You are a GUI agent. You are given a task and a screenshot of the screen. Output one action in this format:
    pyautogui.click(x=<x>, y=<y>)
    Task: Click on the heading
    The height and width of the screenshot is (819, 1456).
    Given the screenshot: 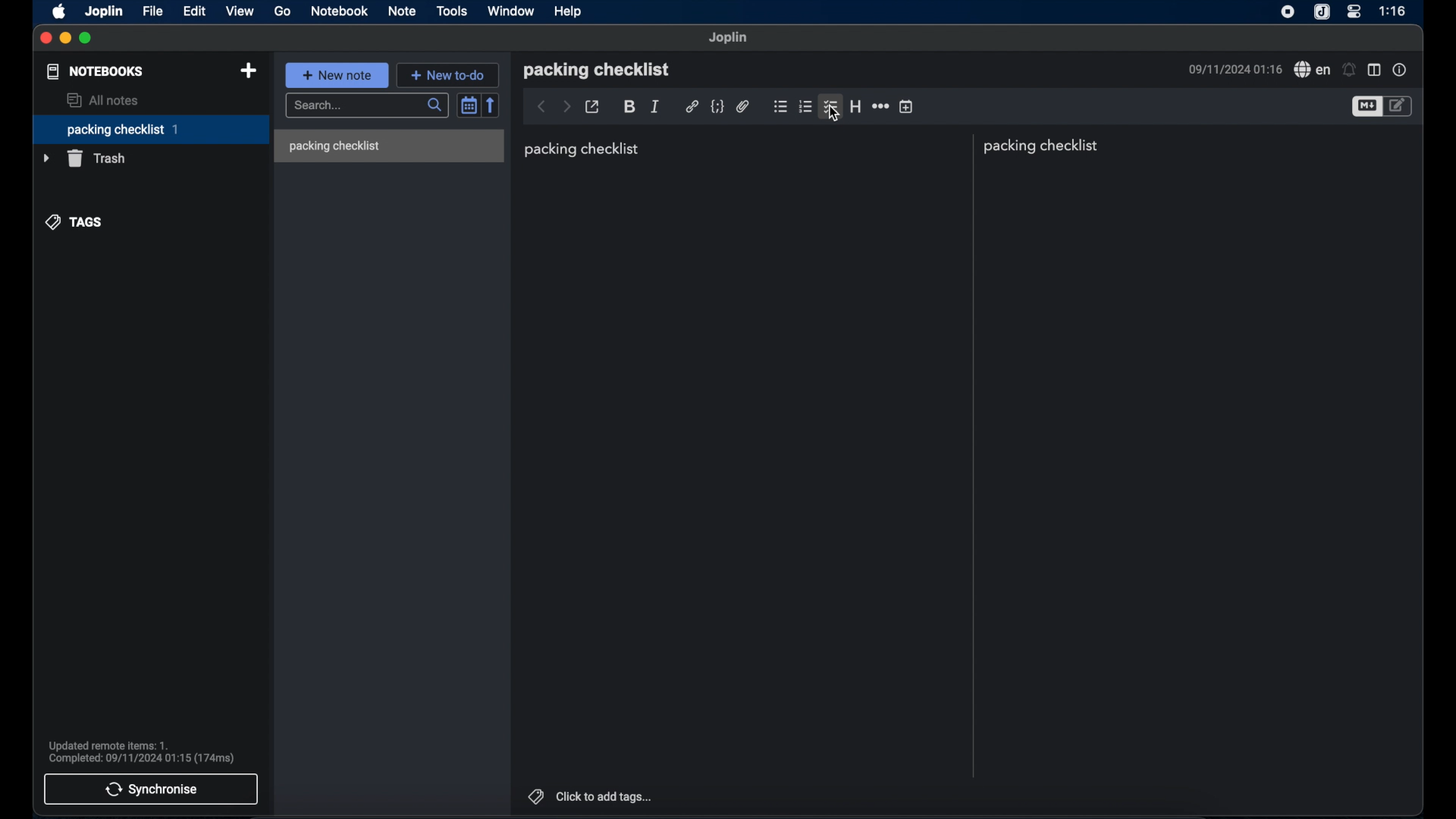 What is the action you would take?
    pyautogui.click(x=855, y=106)
    